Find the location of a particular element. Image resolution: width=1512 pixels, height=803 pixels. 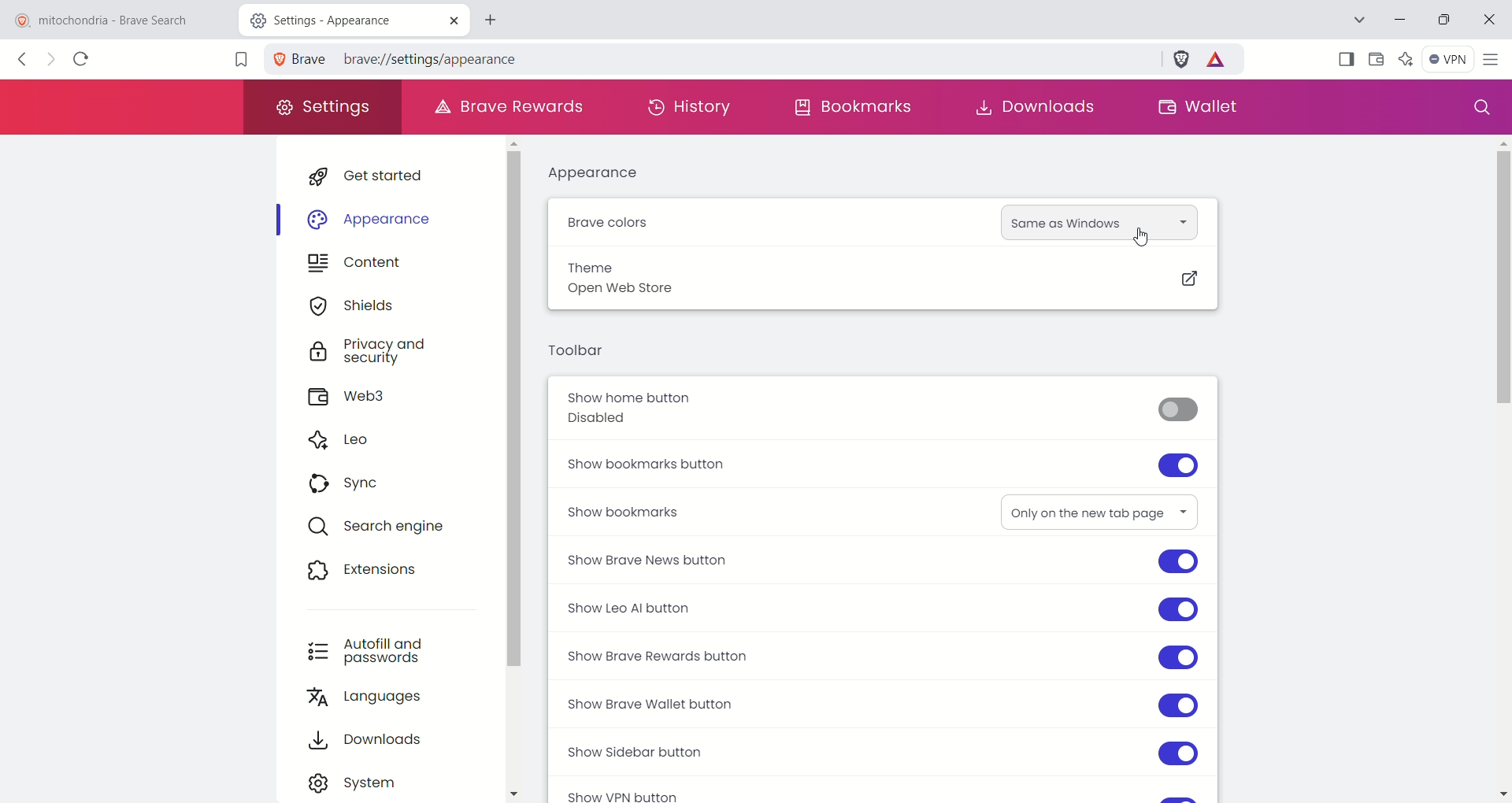

new tab is located at coordinates (497, 18).